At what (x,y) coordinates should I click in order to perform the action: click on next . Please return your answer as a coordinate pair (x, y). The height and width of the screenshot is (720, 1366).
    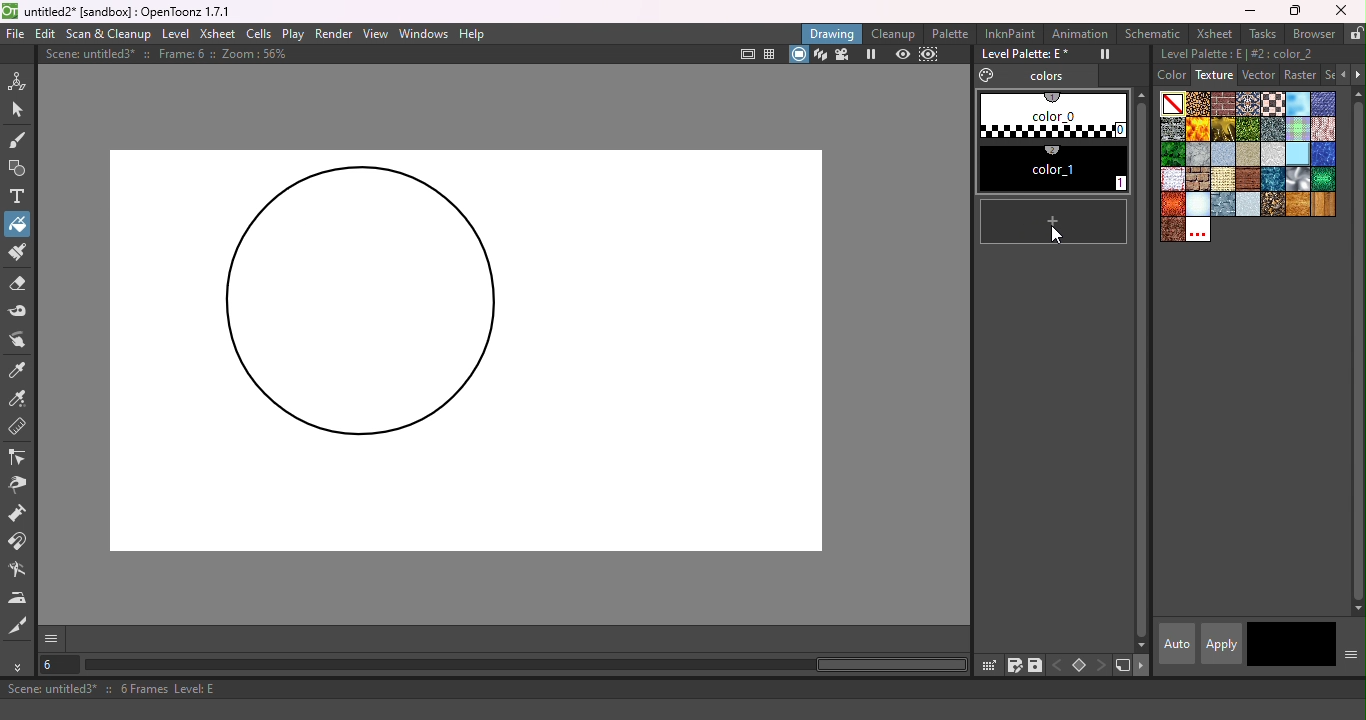
    Looking at the image, I should click on (1143, 668).